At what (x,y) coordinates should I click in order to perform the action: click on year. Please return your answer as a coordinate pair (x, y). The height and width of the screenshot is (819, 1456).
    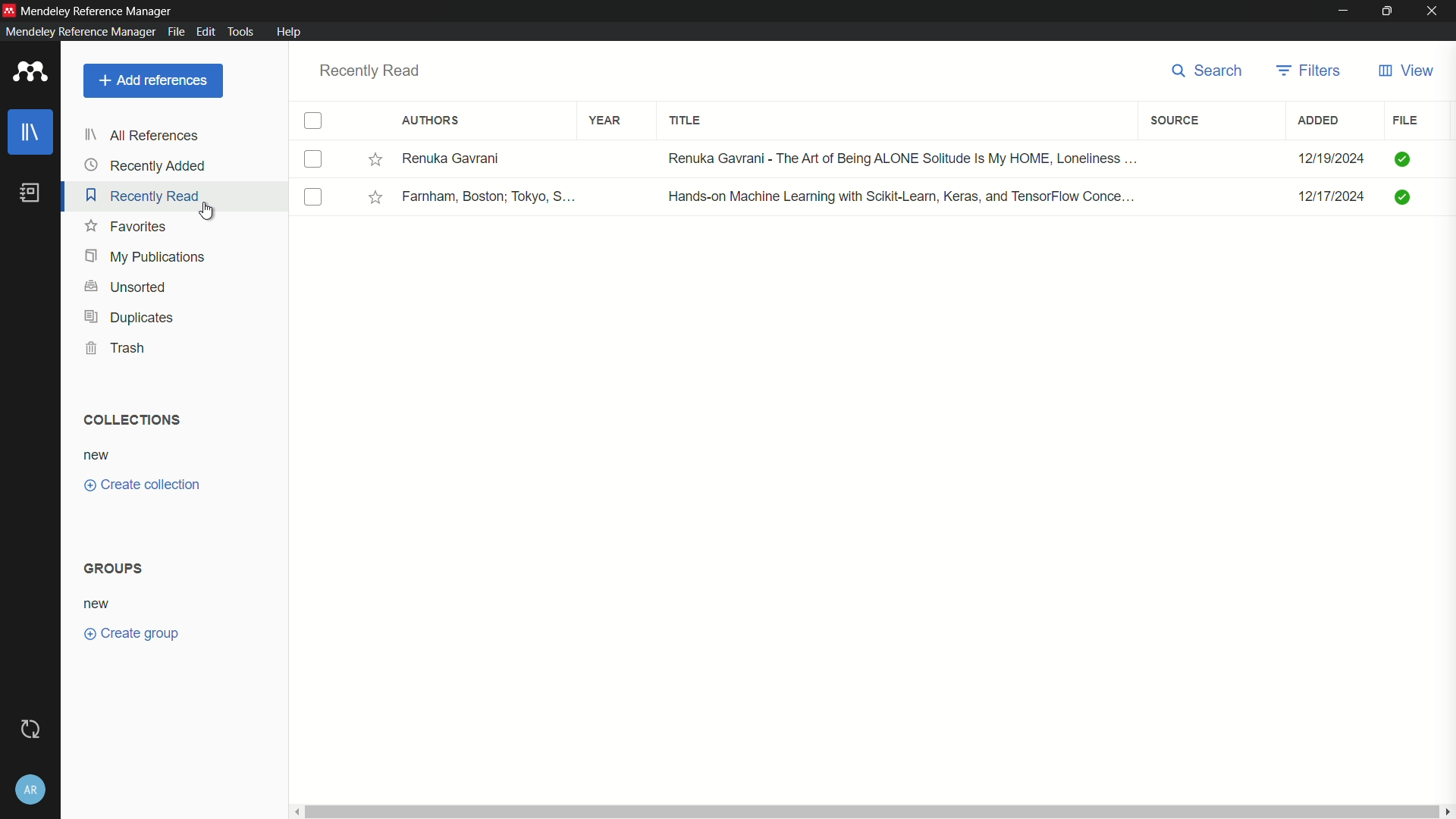
    Looking at the image, I should click on (607, 119).